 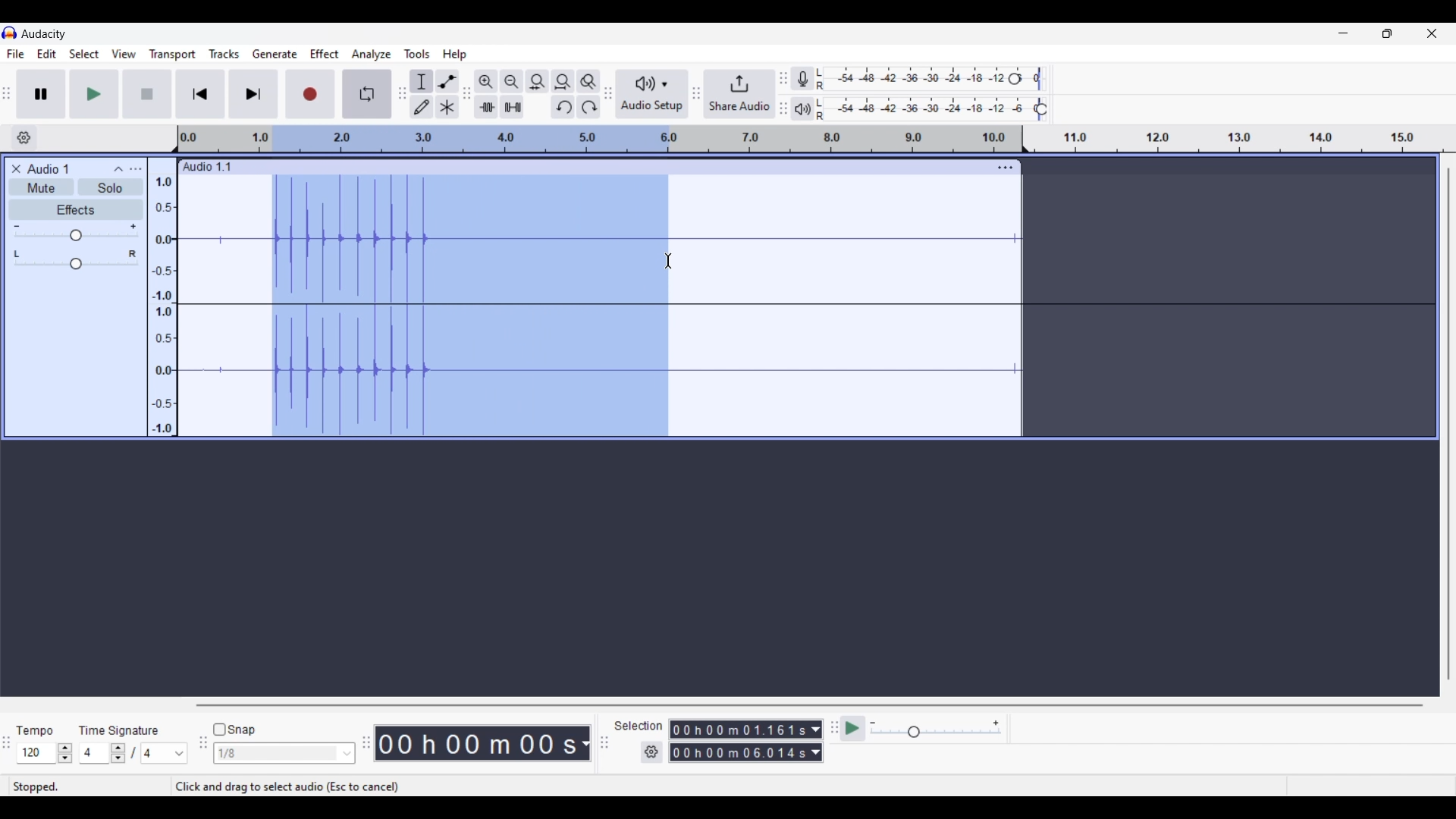 What do you see at coordinates (453, 54) in the screenshot?
I see `Help menu` at bounding box center [453, 54].